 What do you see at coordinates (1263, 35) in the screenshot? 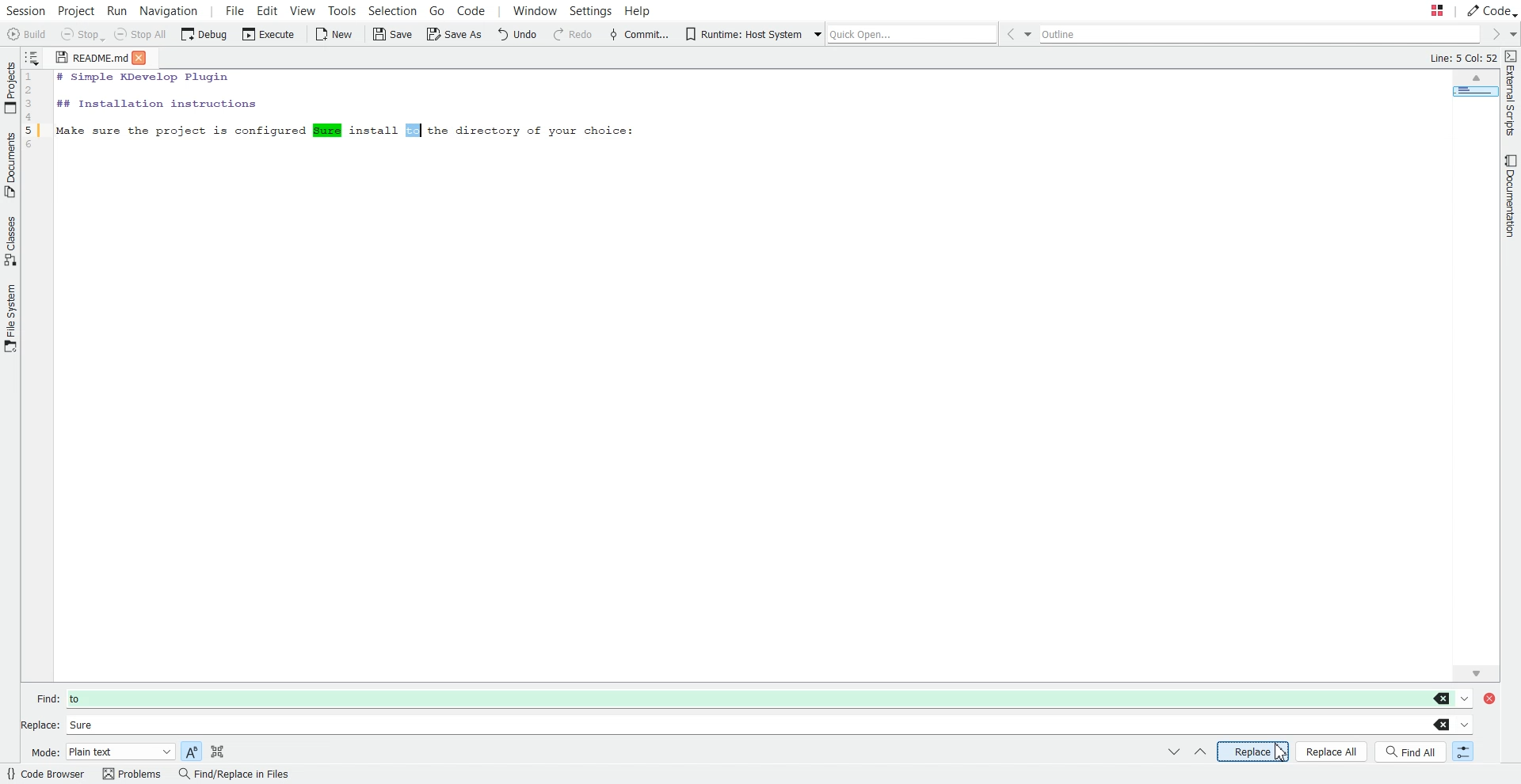
I see `Outline` at bounding box center [1263, 35].